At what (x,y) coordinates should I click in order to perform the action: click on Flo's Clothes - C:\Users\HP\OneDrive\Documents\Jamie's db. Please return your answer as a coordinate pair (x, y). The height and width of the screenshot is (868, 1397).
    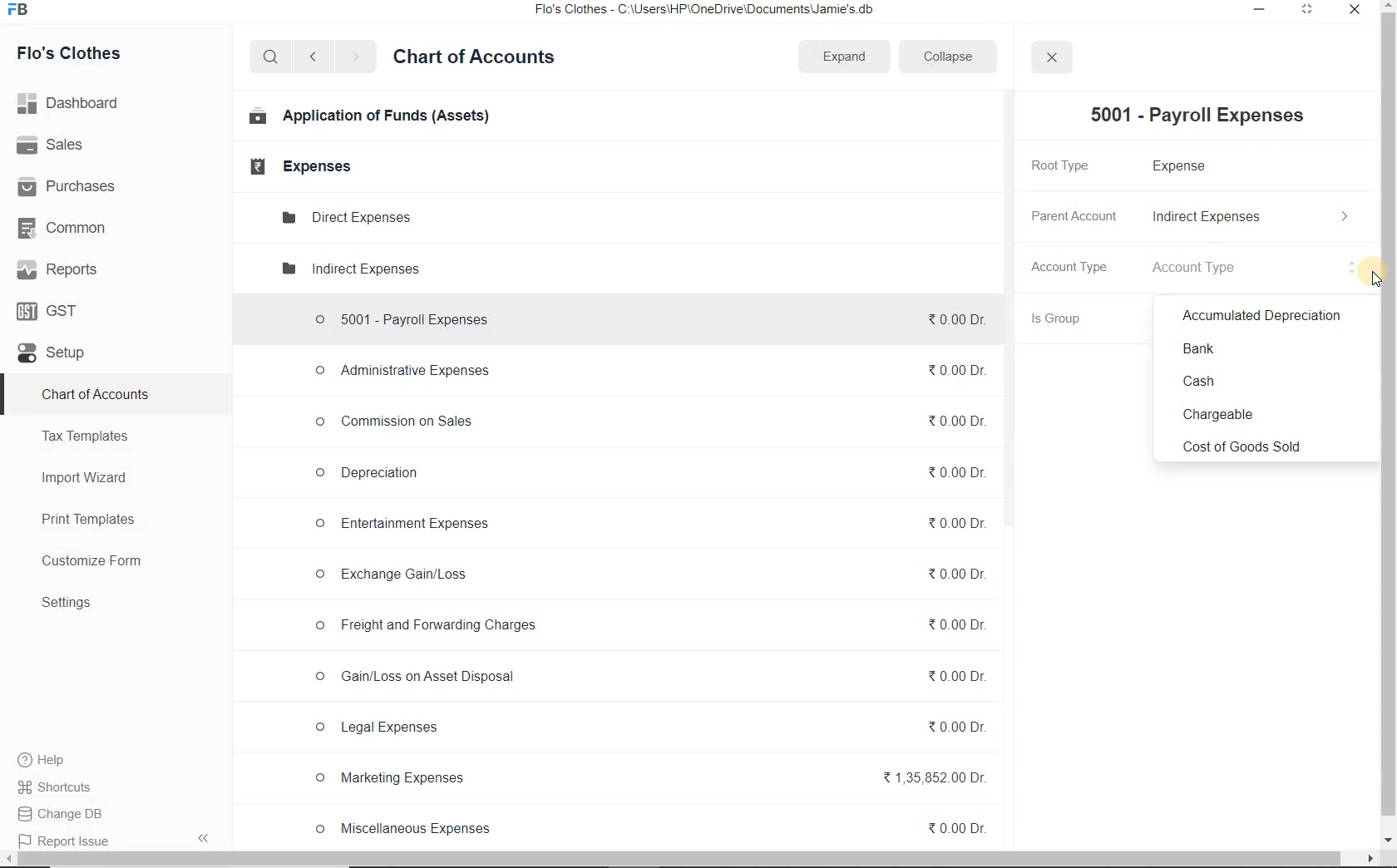
    Looking at the image, I should click on (723, 11).